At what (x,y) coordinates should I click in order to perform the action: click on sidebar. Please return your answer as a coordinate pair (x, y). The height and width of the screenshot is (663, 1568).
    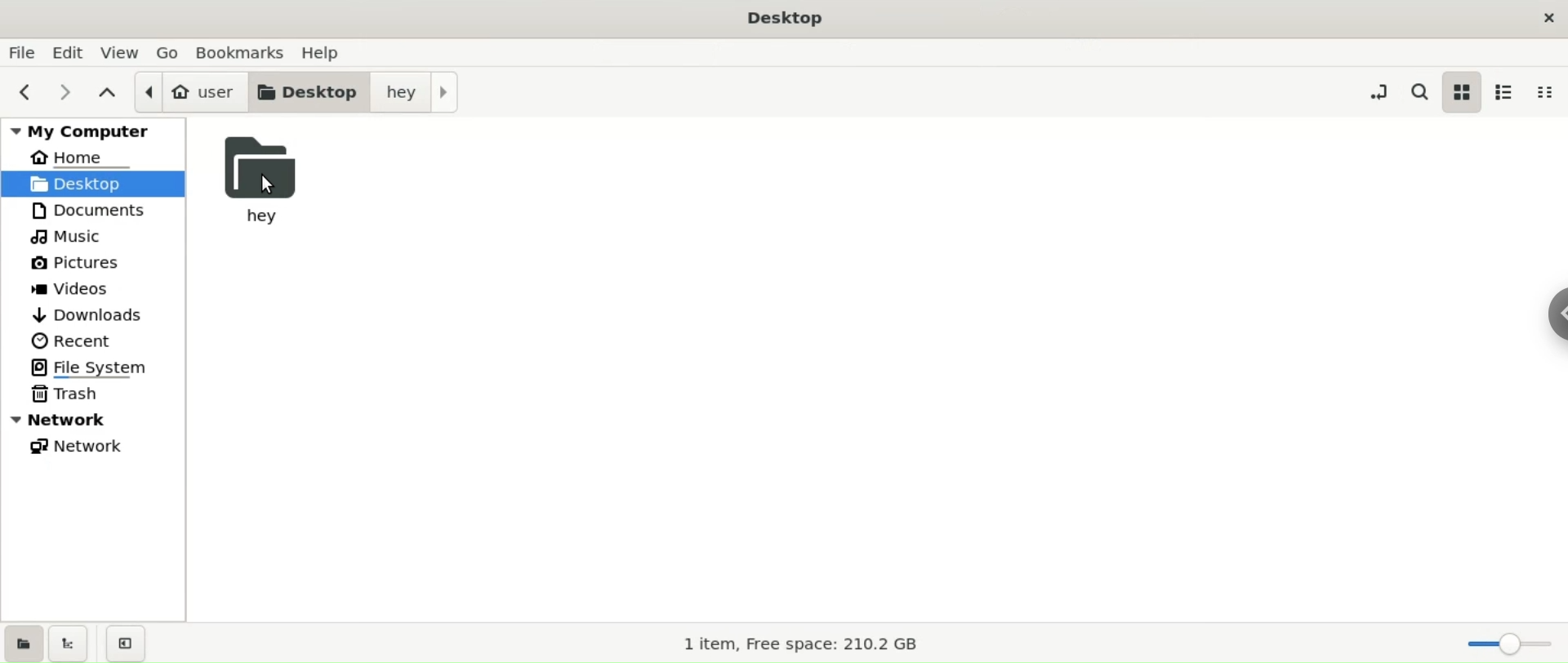
    Looking at the image, I should click on (1546, 322).